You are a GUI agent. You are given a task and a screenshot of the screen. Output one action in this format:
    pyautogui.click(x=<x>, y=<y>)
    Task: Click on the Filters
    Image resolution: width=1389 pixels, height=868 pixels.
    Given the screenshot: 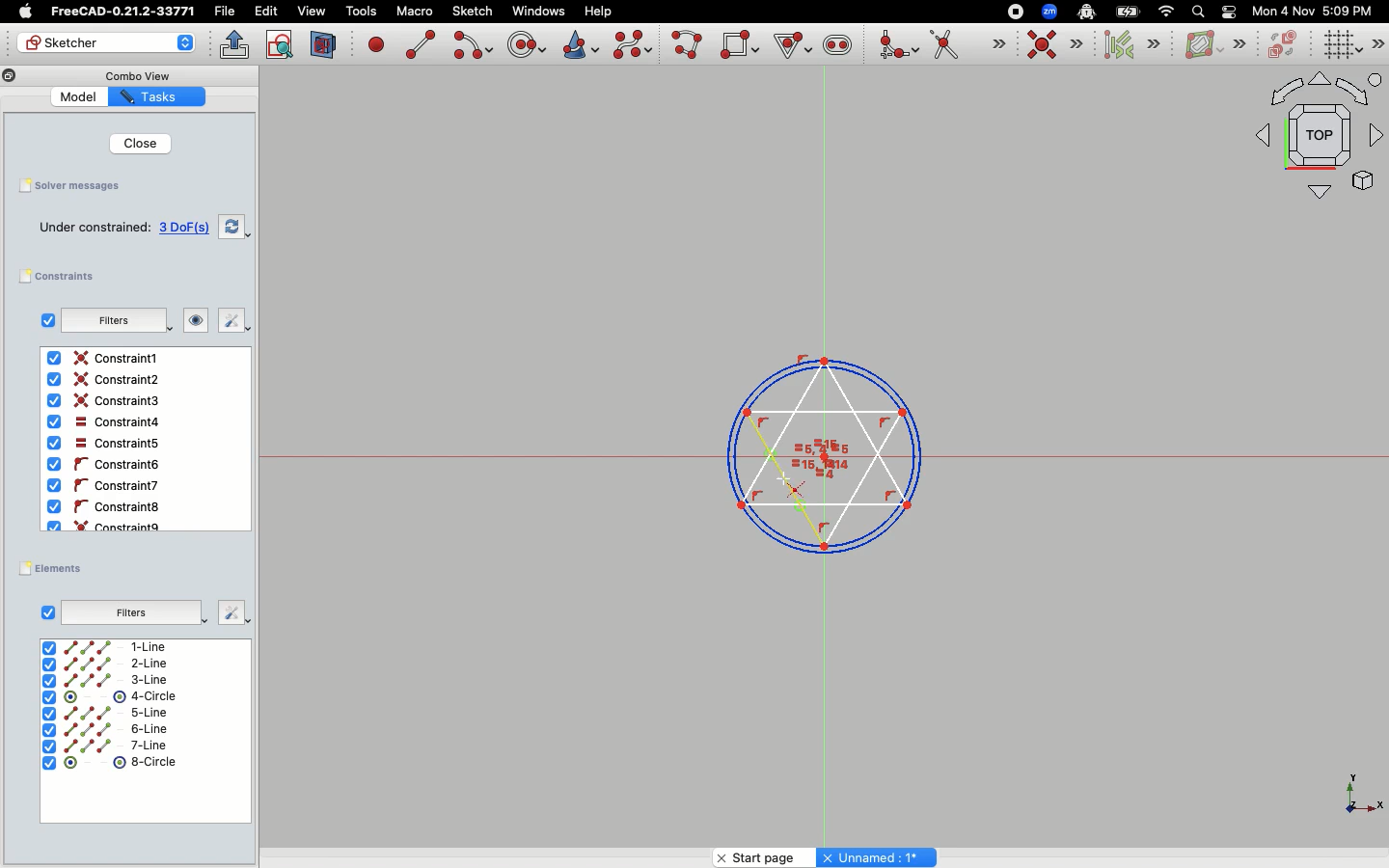 What is the action you would take?
    pyautogui.click(x=114, y=320)
    